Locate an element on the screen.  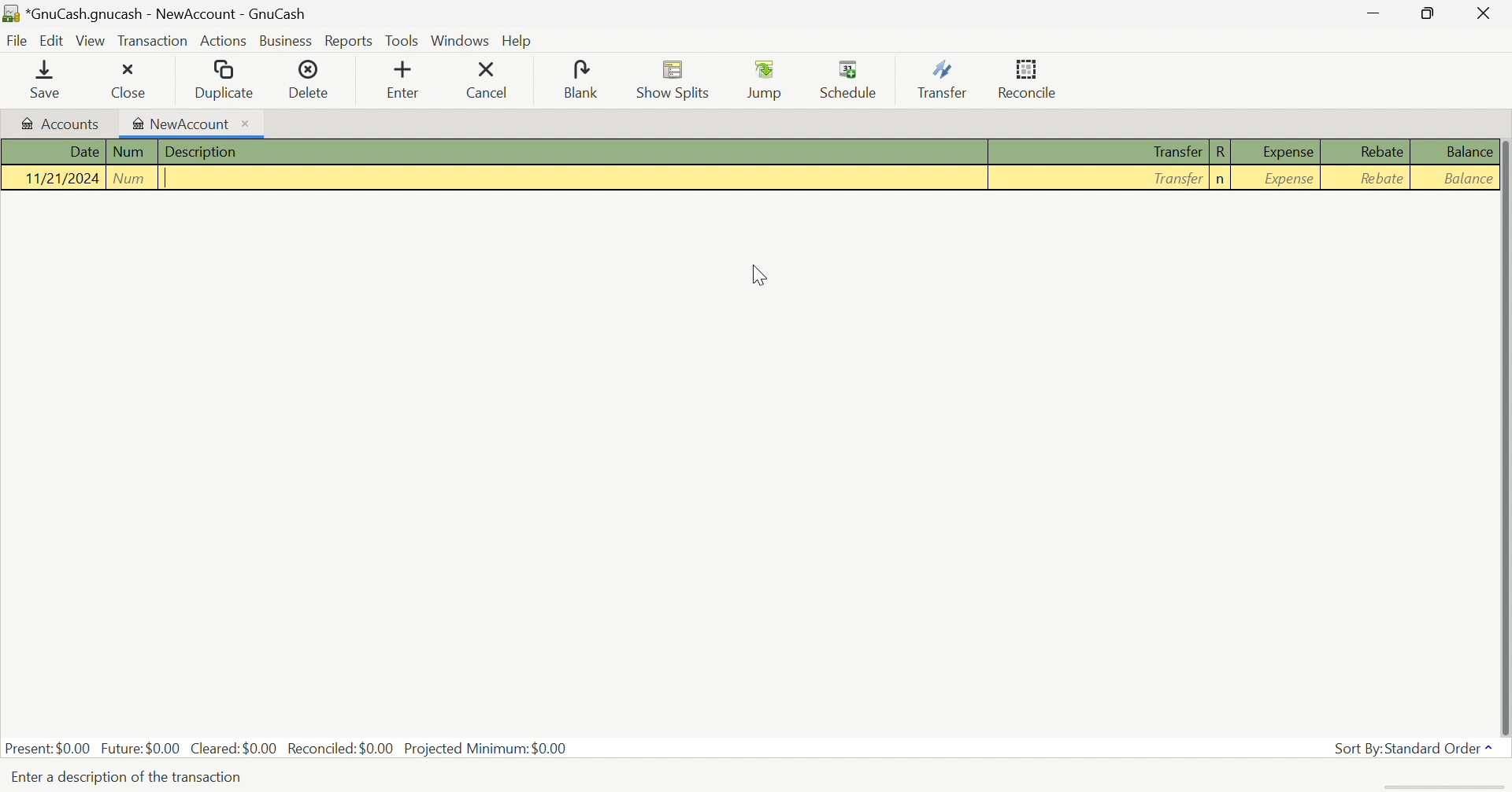
Future: $0.00 is located at coordinates (140, 748).